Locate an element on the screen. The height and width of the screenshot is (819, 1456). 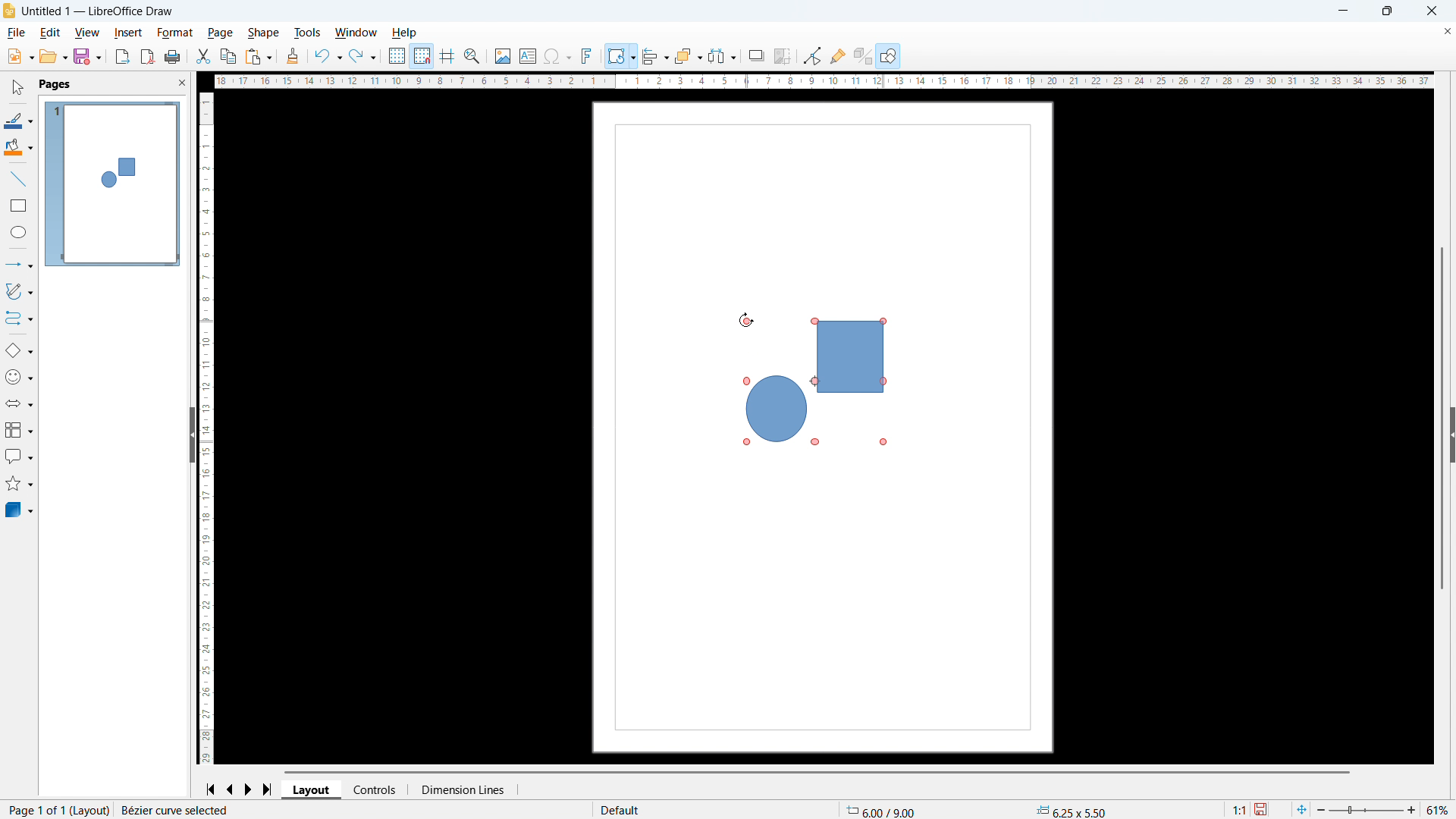
open  is located at coordinates (53, 57).